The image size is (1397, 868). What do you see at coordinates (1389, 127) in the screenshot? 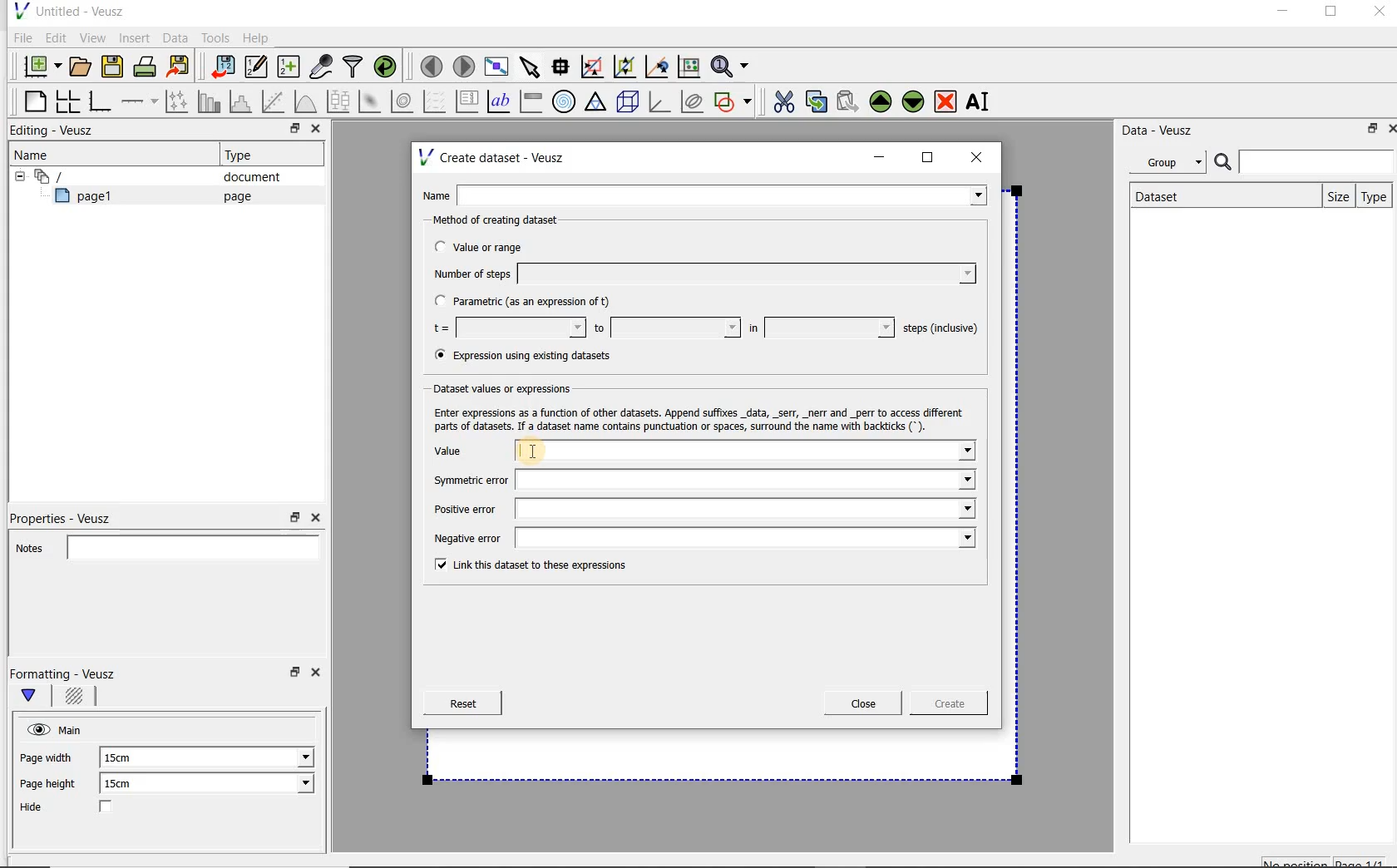
I see `Close` at bounding box center [1389, 127].